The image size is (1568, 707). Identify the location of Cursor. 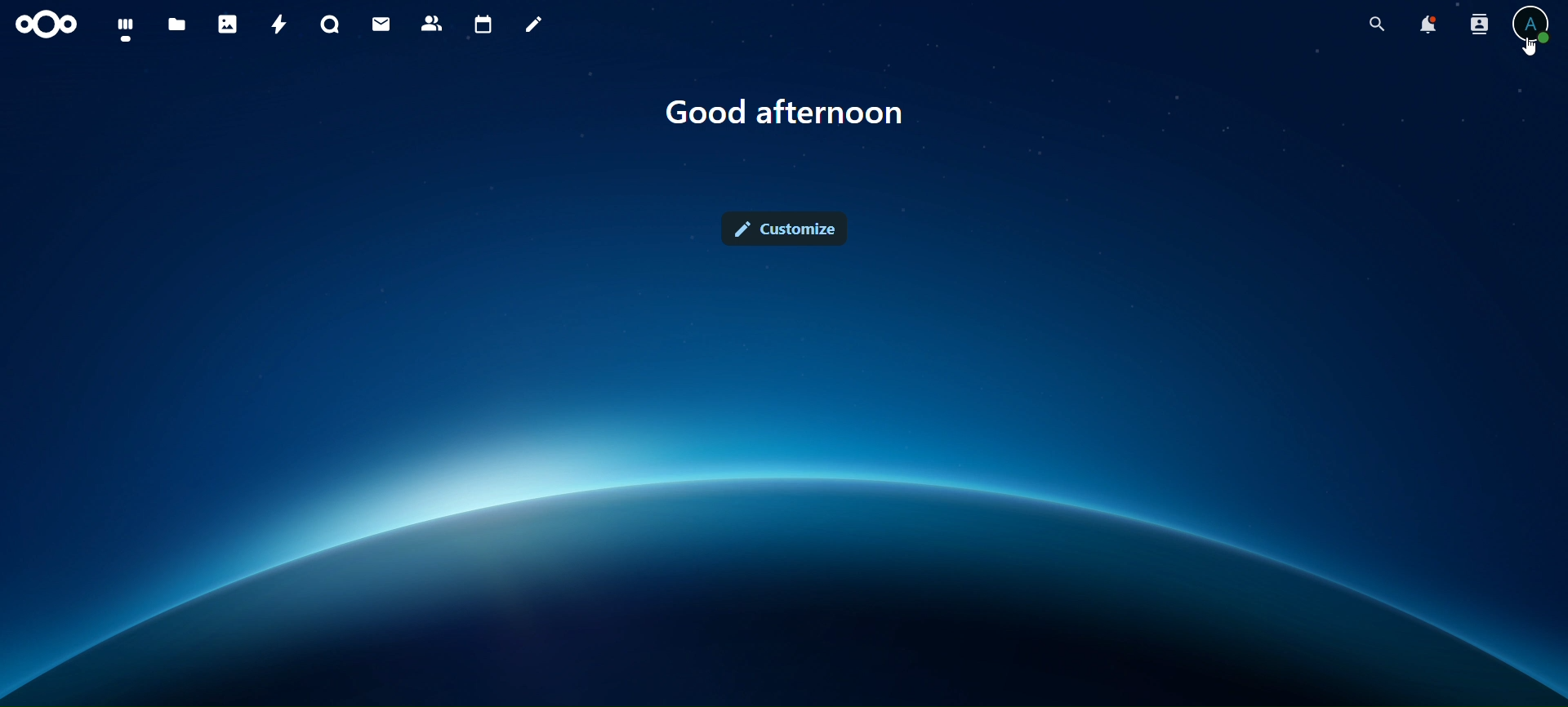
(1532, 48).